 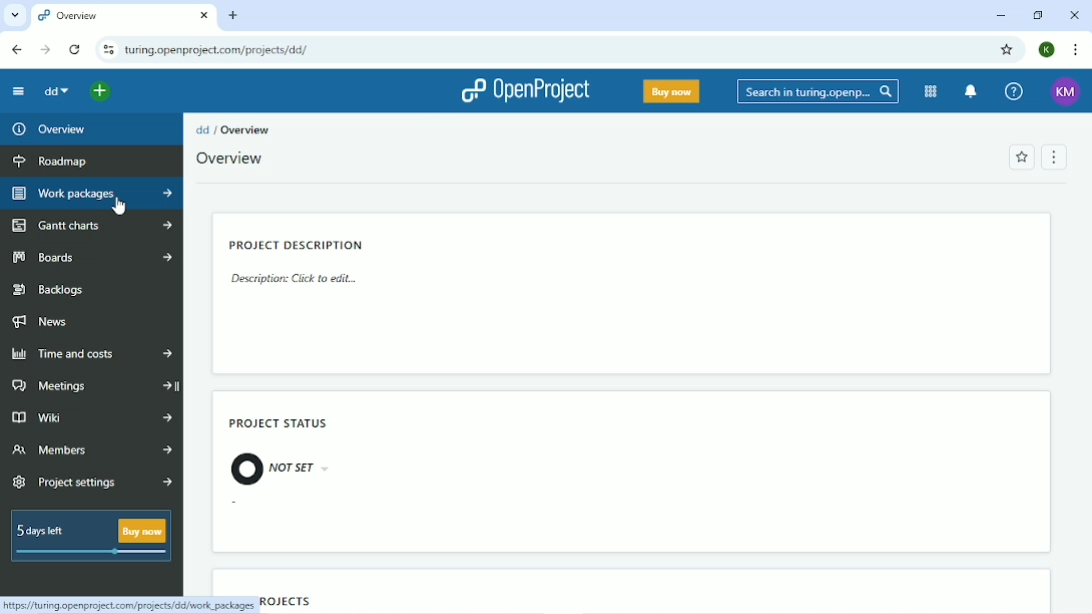 I want to click on Add to favorites, so click(x=1022, y=157).